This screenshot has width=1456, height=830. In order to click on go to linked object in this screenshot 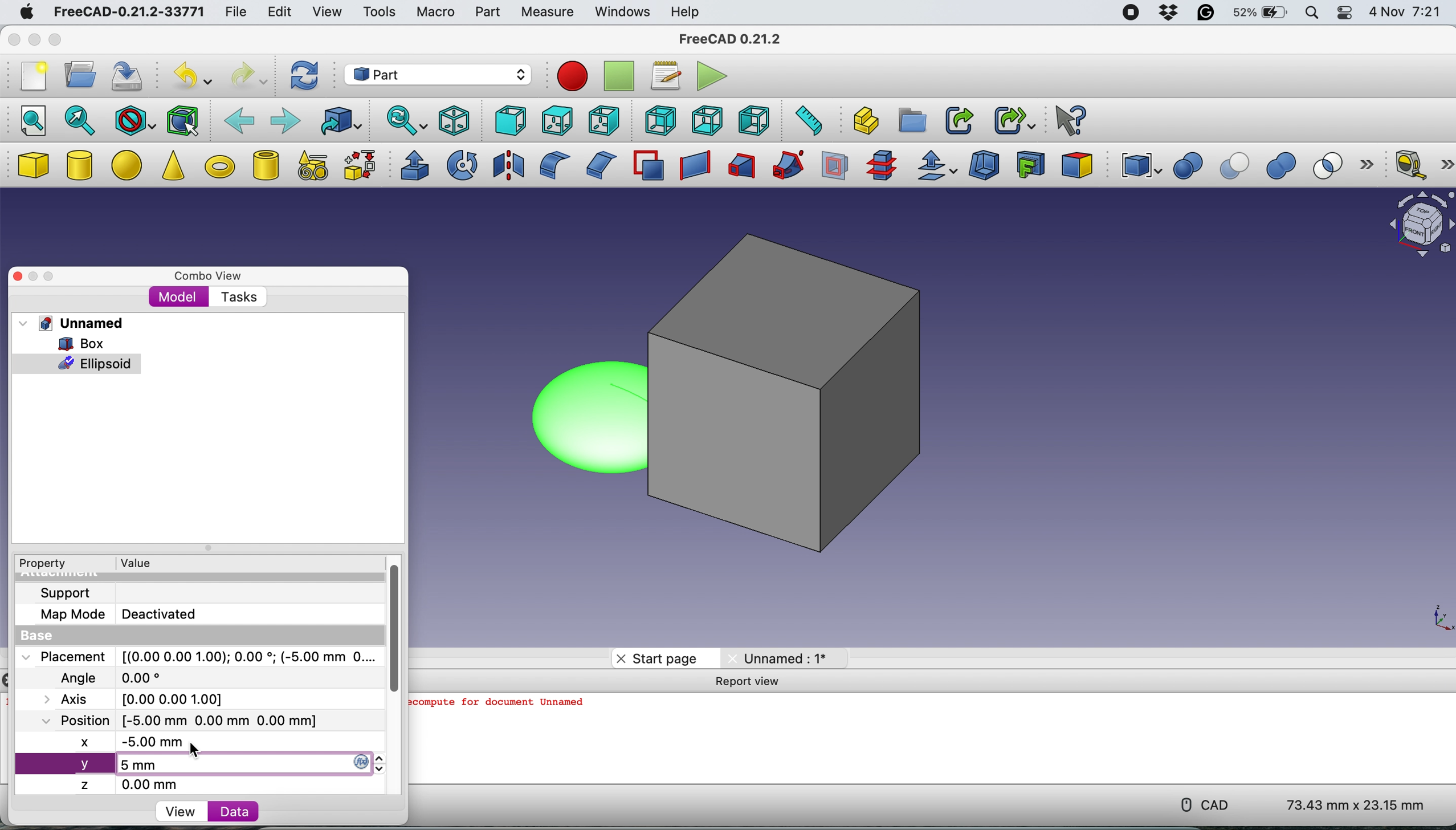, I will do `click(340, 121)`.